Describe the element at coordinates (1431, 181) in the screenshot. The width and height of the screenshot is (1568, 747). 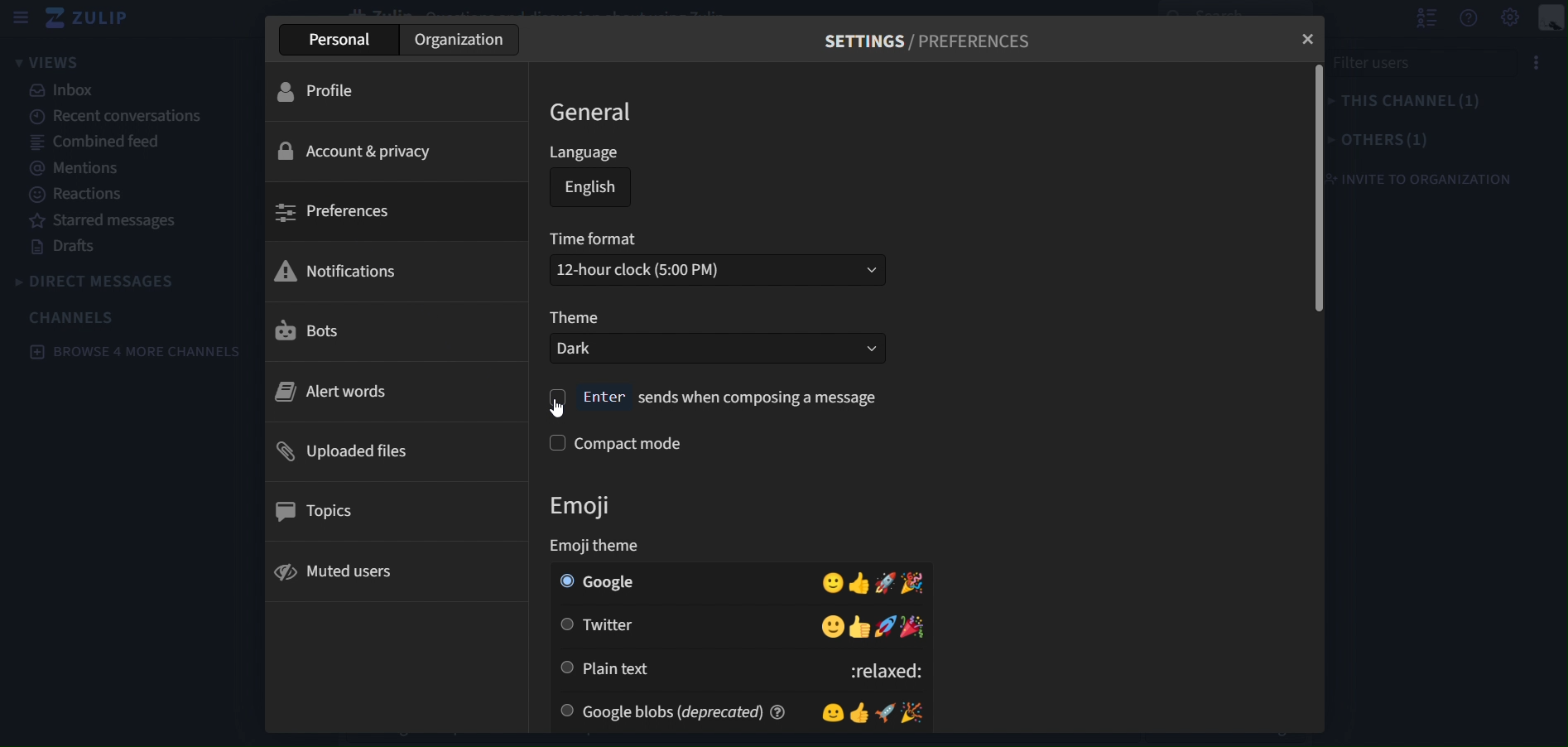
I see `invite to organization` at that location.